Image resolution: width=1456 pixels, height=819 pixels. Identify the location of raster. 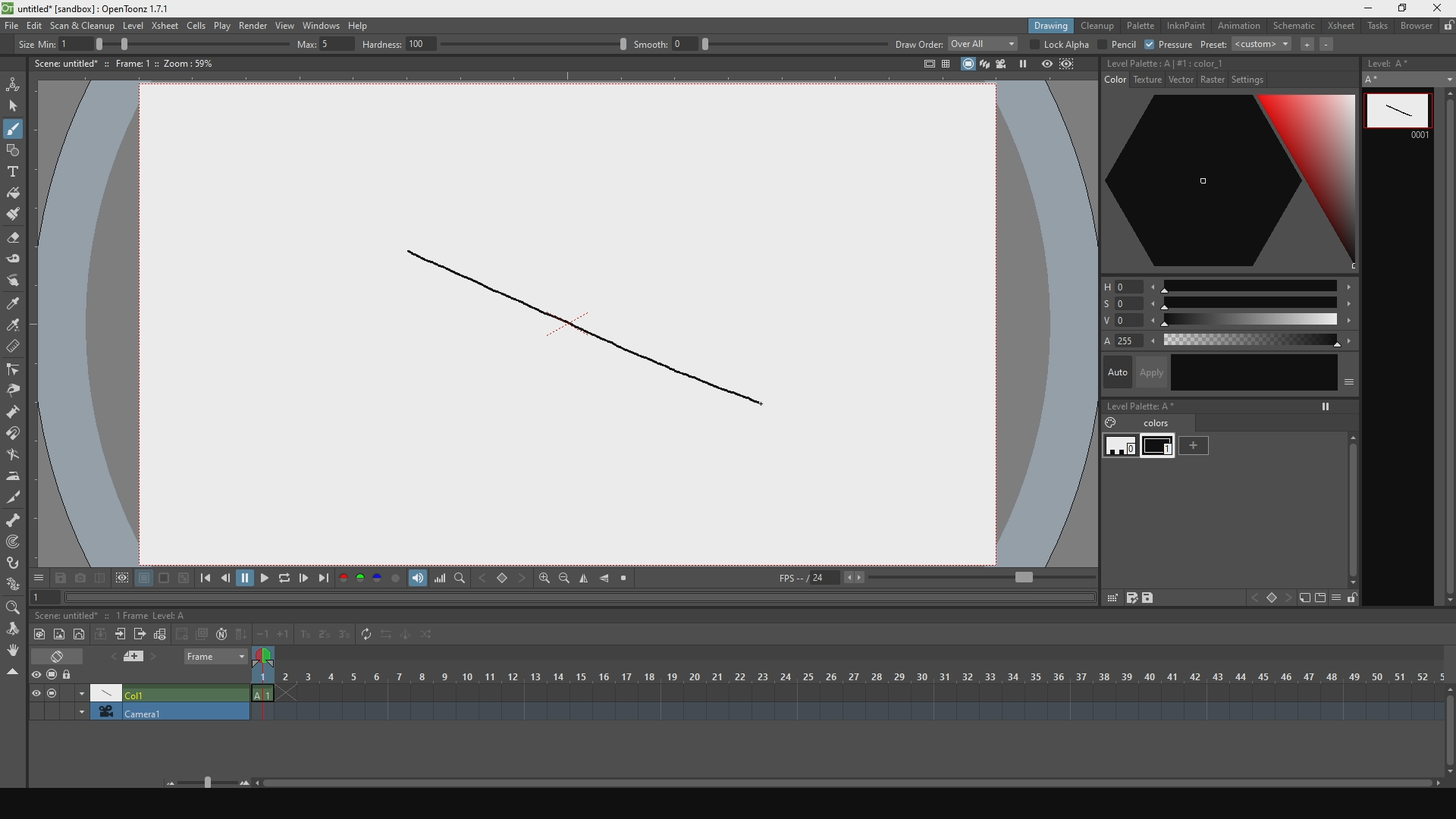
(1214, 80).